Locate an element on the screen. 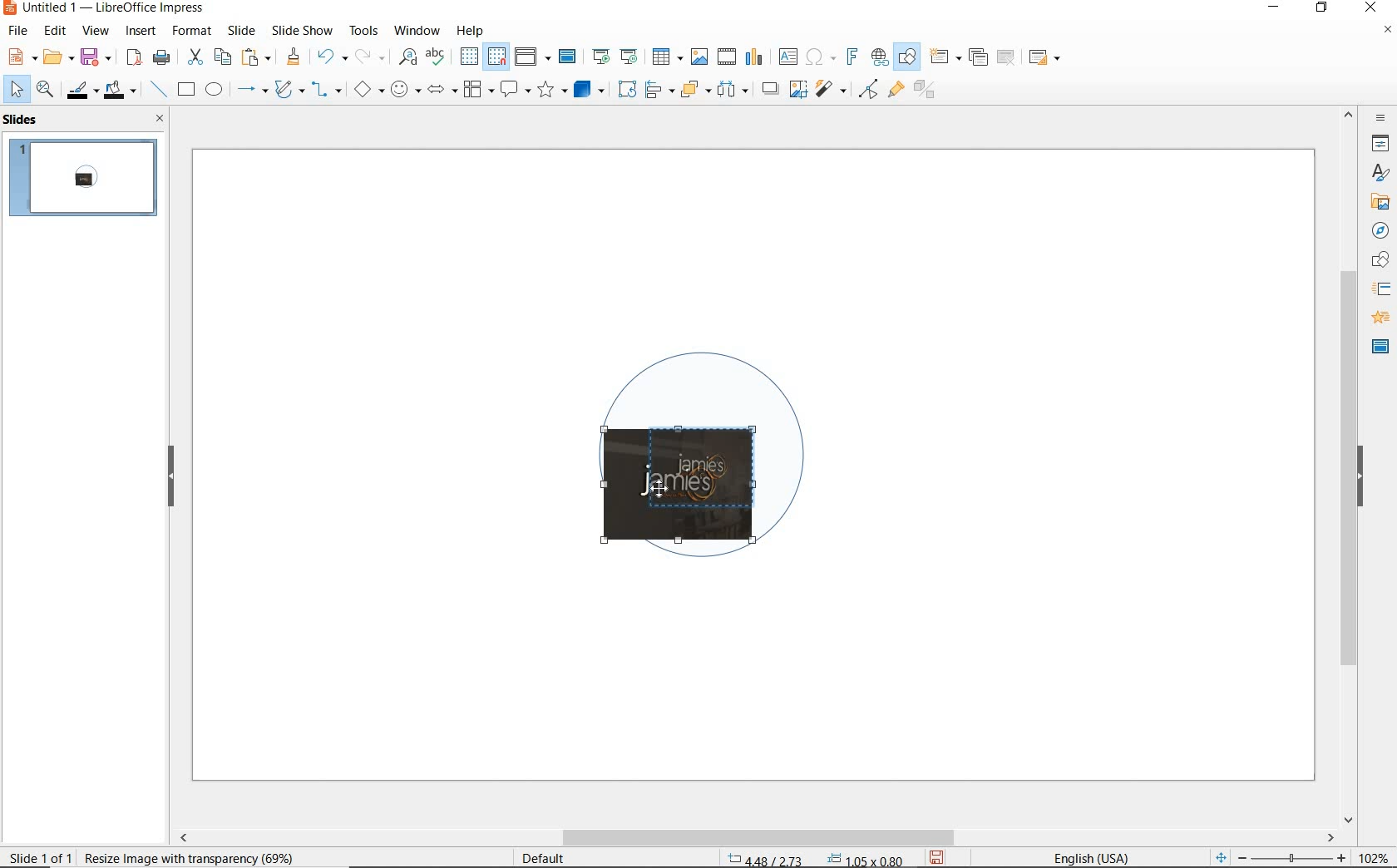  slide 1 of 1 is located at coordinates (42, 854).